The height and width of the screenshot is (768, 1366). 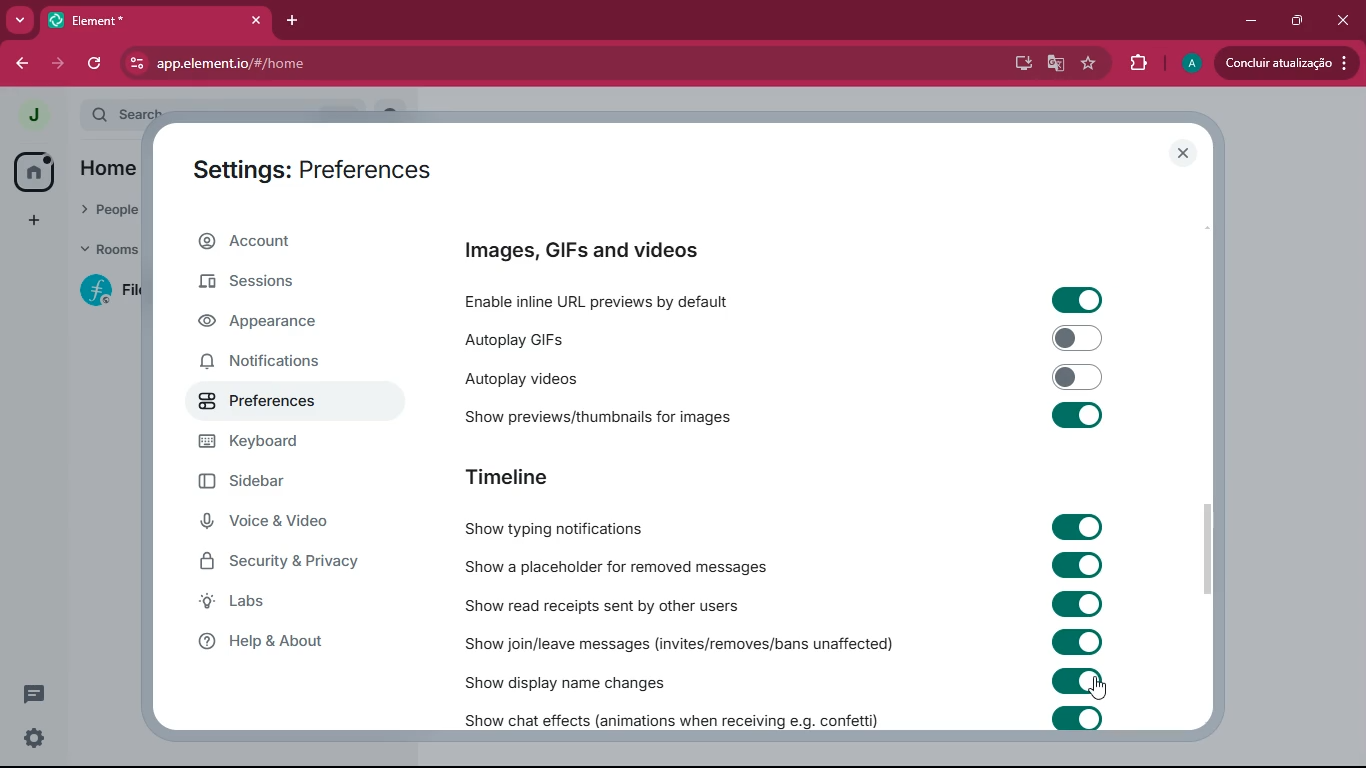 What do you see at coordinates (269, 520) in the screenshot?
I see `voice & video` at bounding box center [269, 520].